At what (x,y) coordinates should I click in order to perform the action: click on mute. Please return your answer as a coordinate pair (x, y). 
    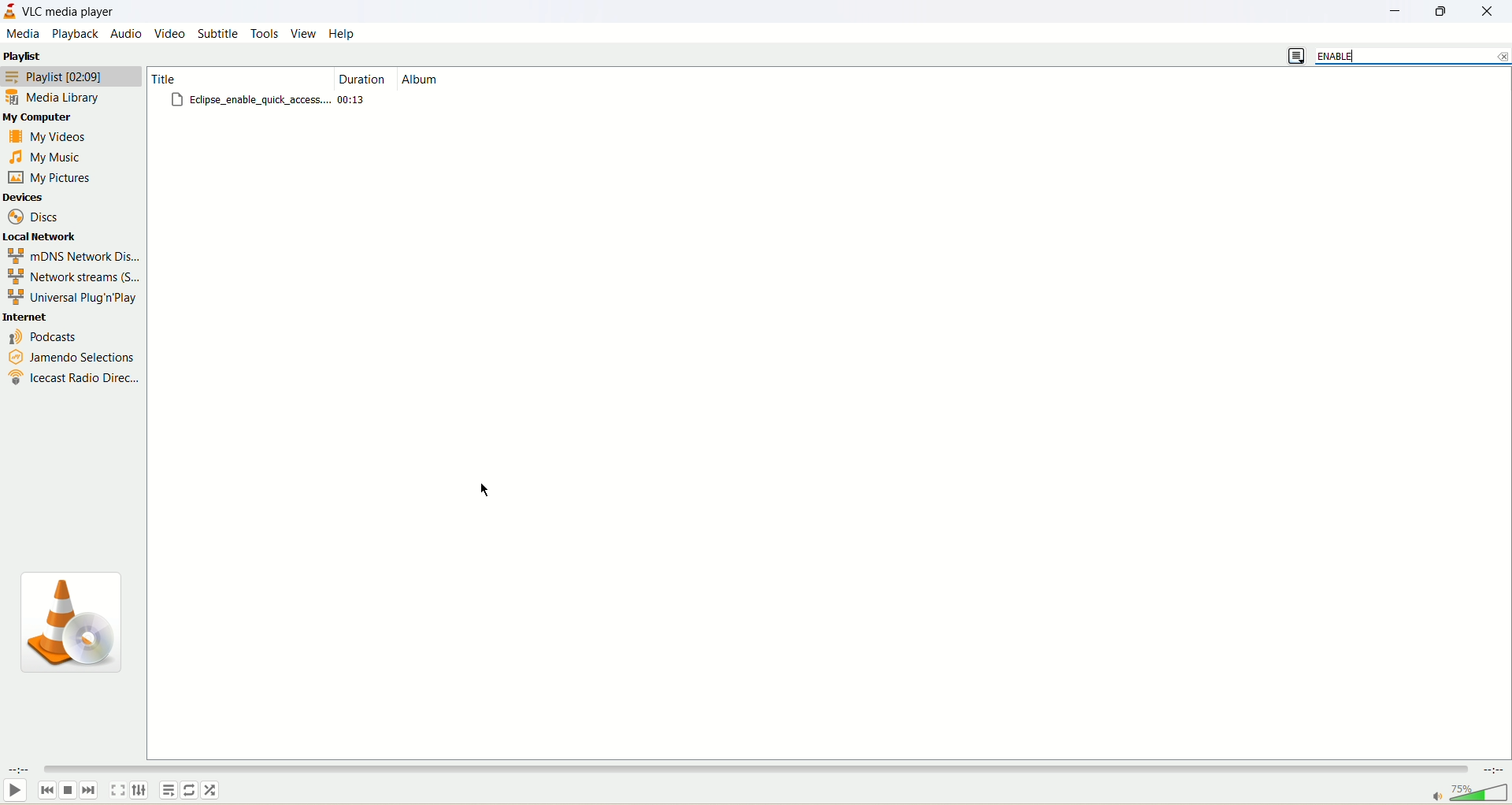
    Looking at the image, I should click on (1433, 795).